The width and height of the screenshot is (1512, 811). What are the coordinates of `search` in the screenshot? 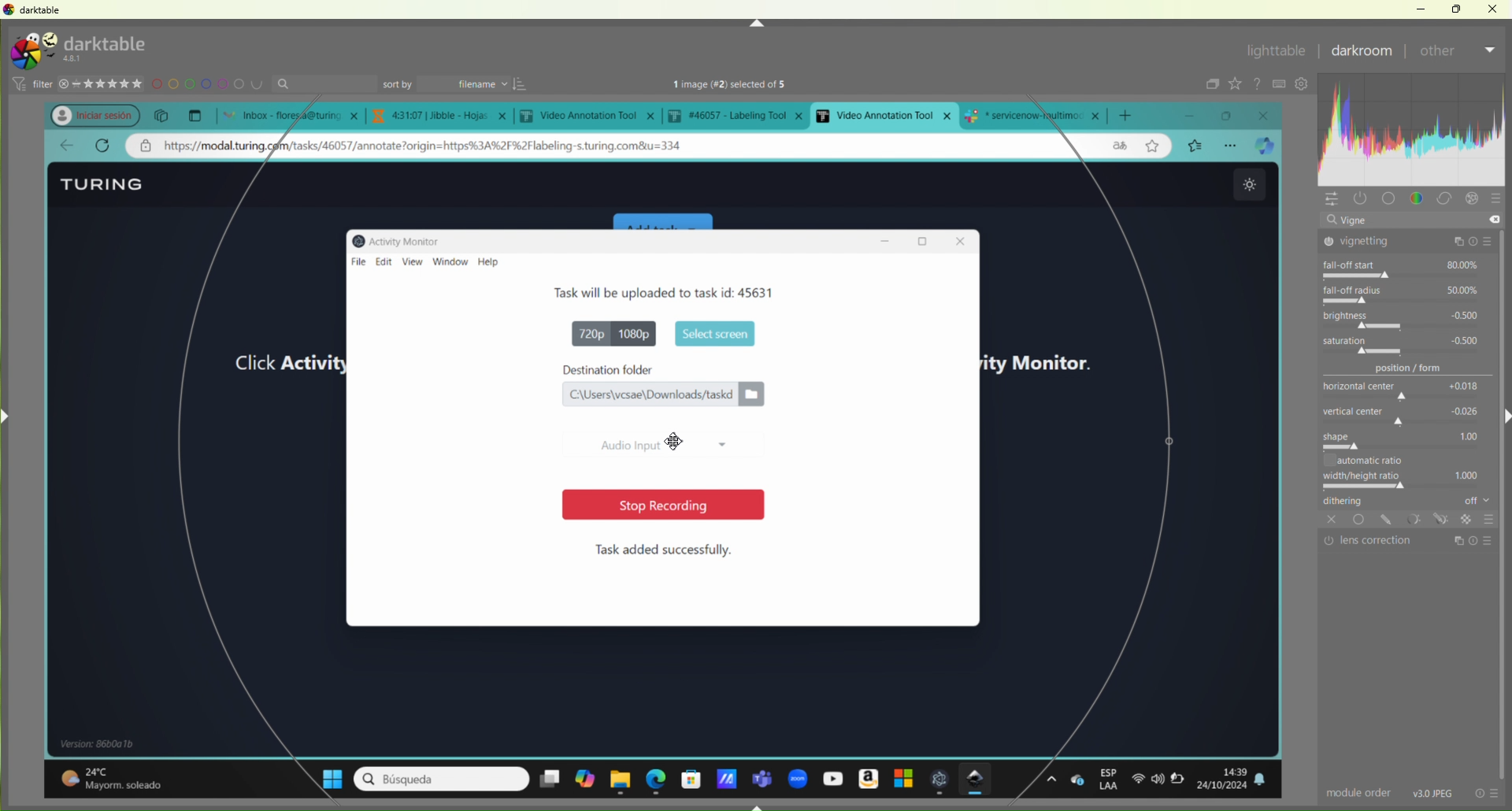 It's located at (440, 779).